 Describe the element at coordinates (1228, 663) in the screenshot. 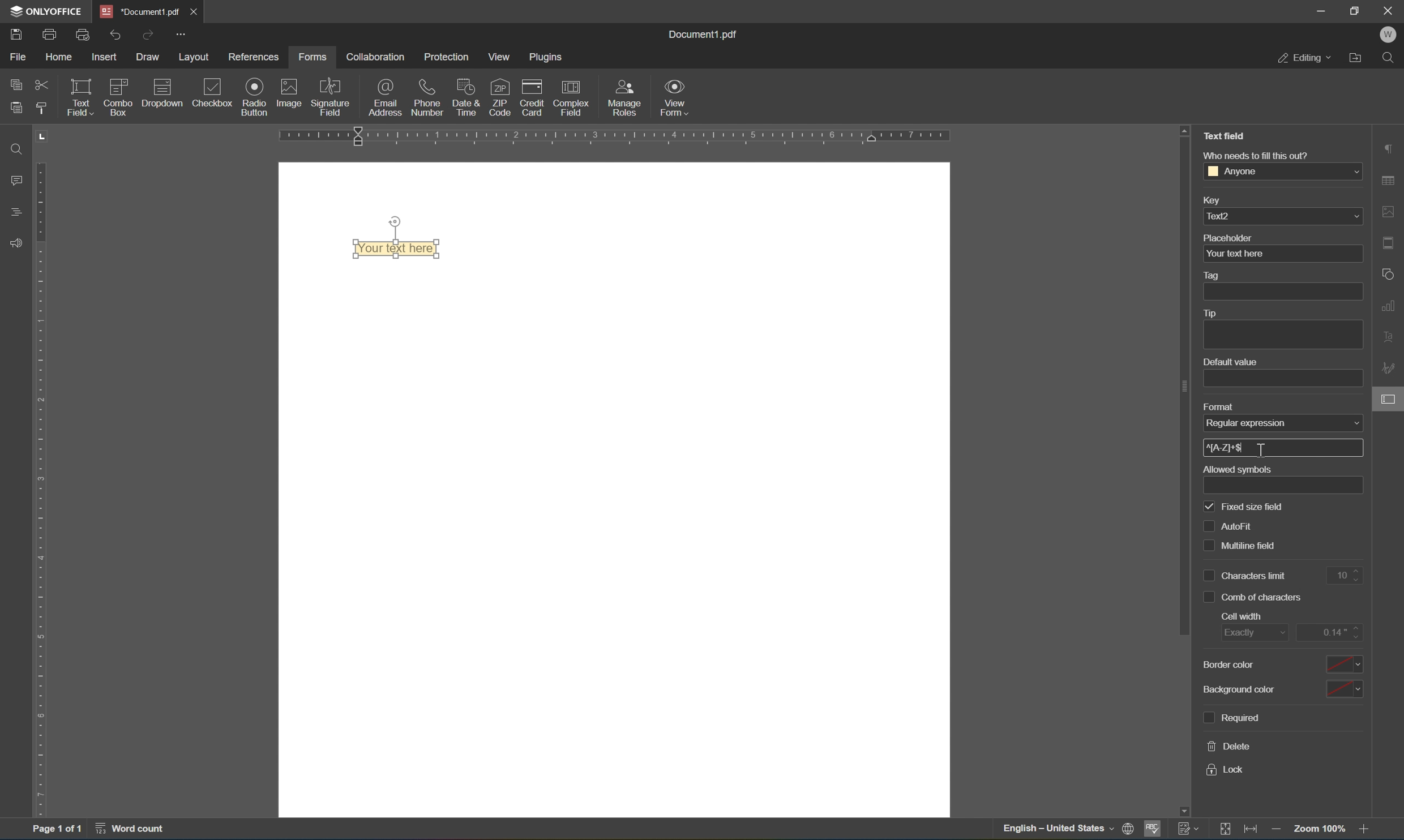

I see `border color` at that location.